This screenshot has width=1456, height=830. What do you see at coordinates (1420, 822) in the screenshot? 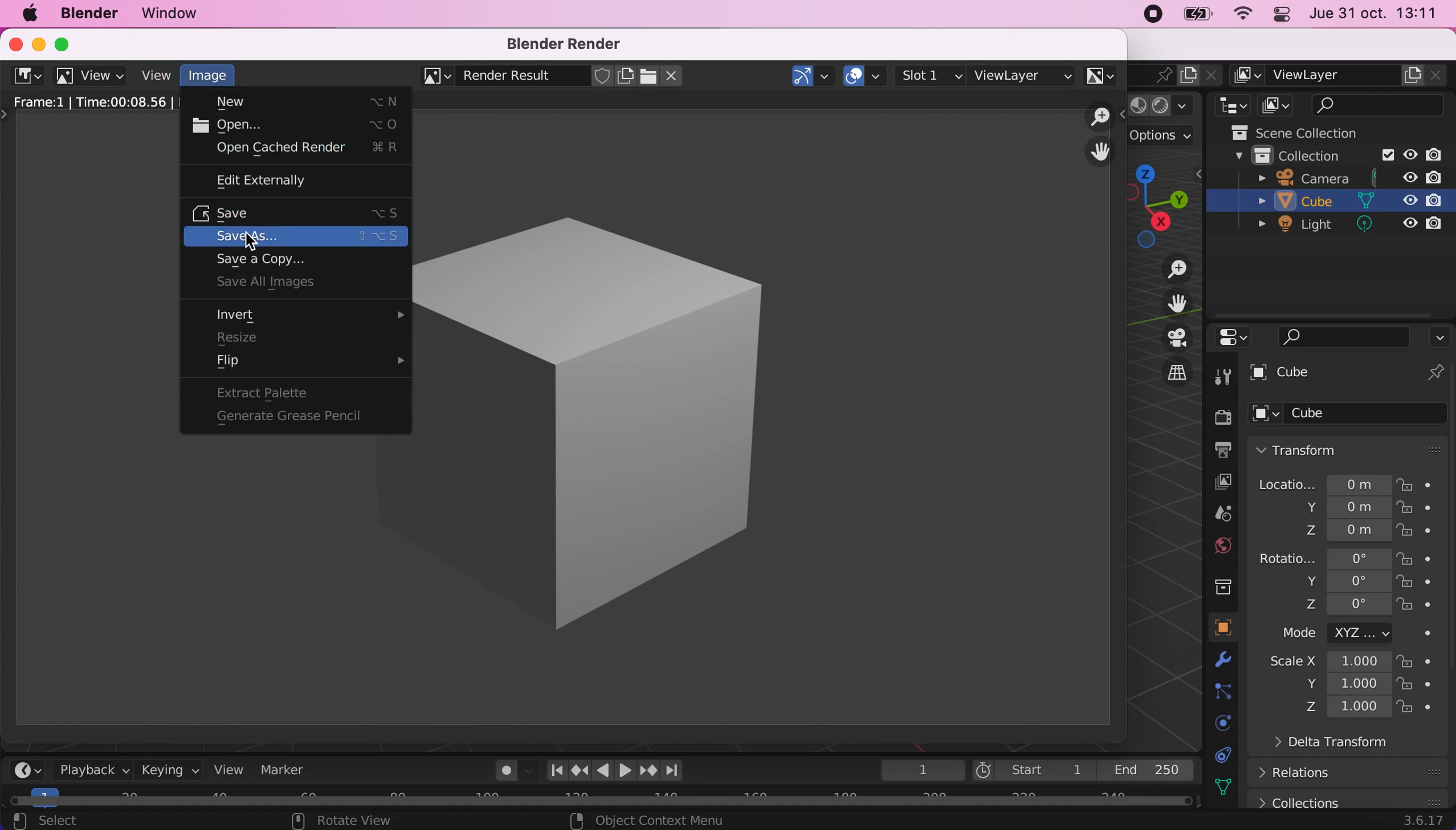
I see `3.6.17` at bounding box center [1420, 822].